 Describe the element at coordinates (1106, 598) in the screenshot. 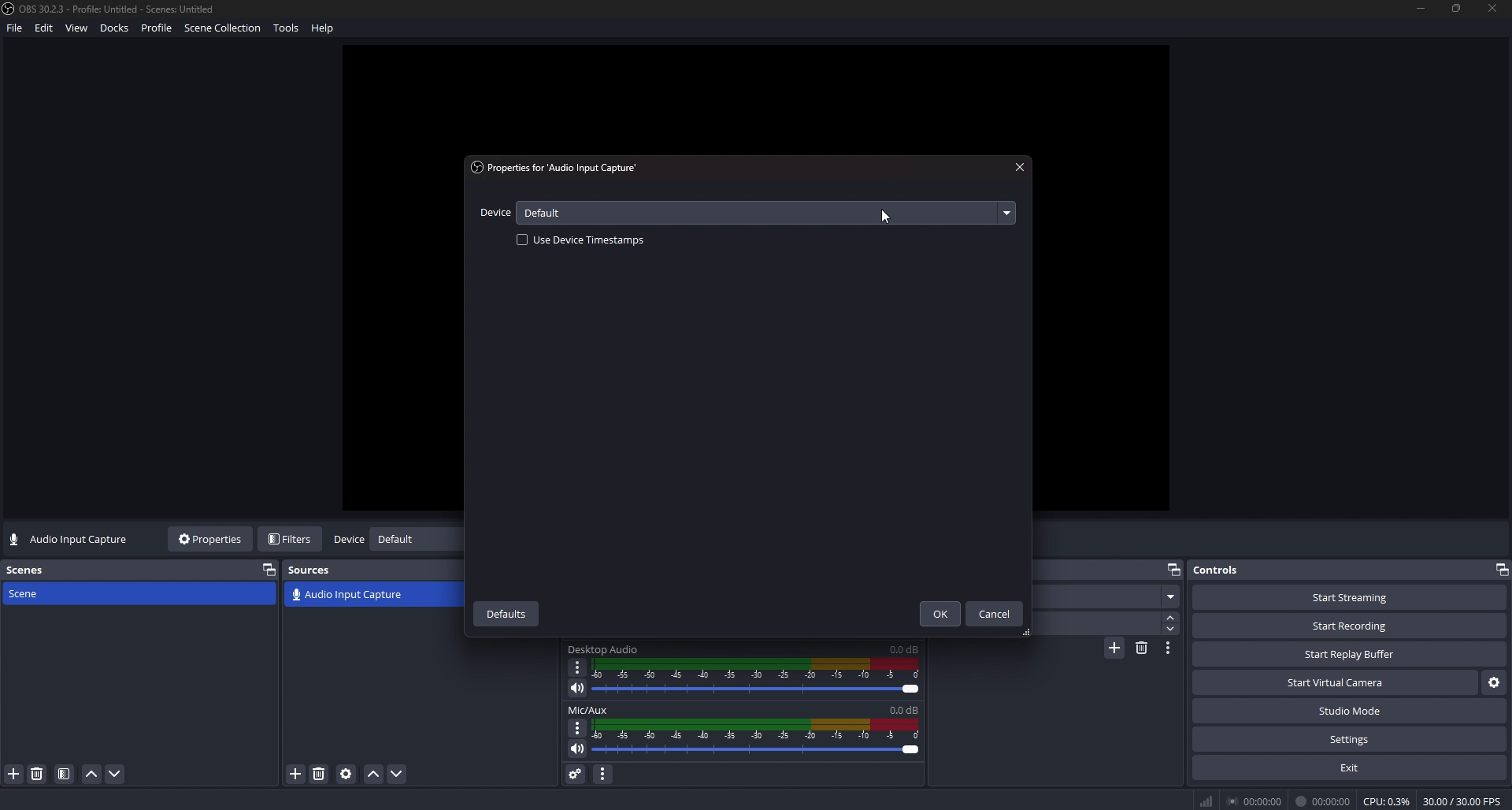

I see `fade` at that location.